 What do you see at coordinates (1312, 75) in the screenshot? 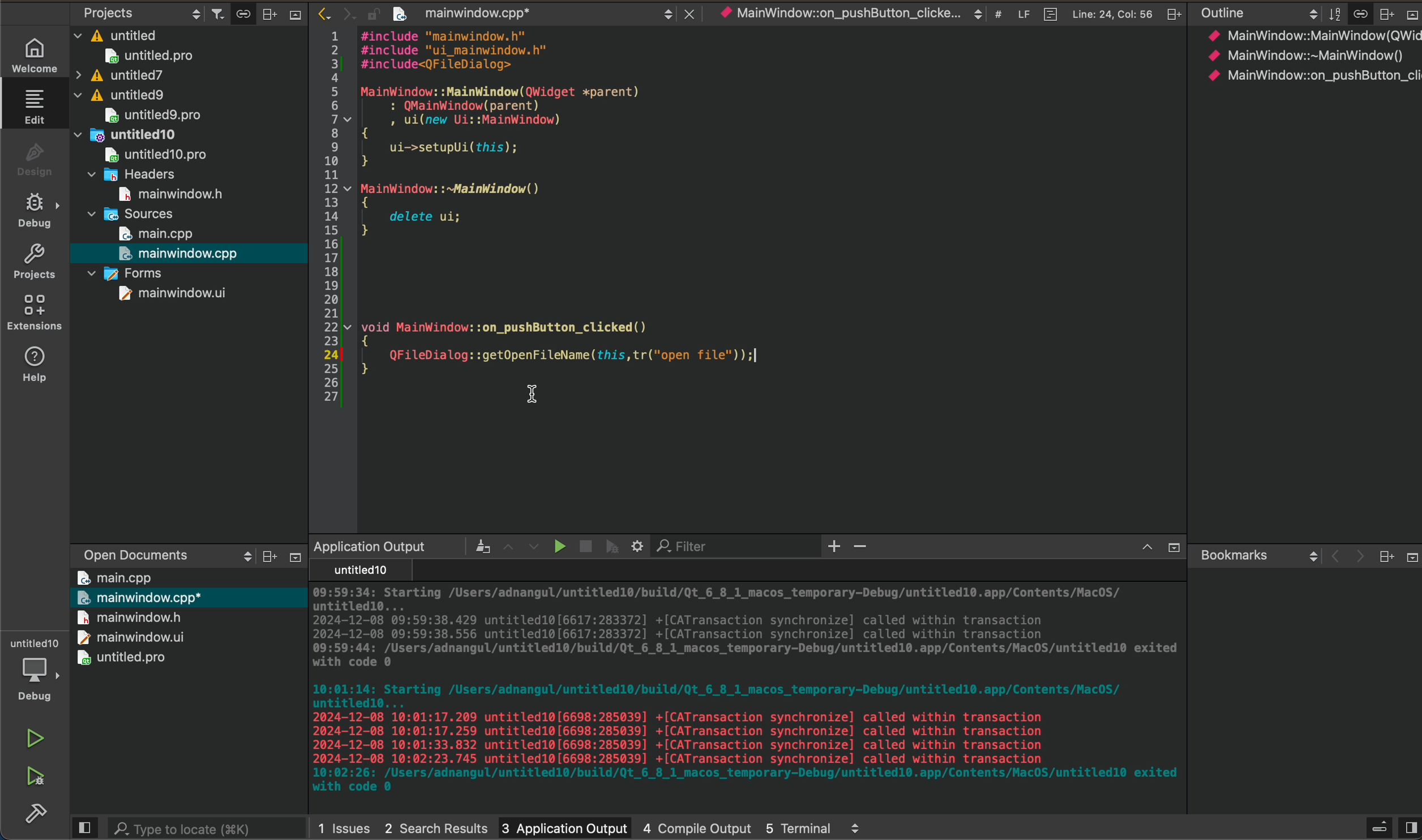
I see `MainWindow::on_pushButton cl` at bounding box center [1312, 75].